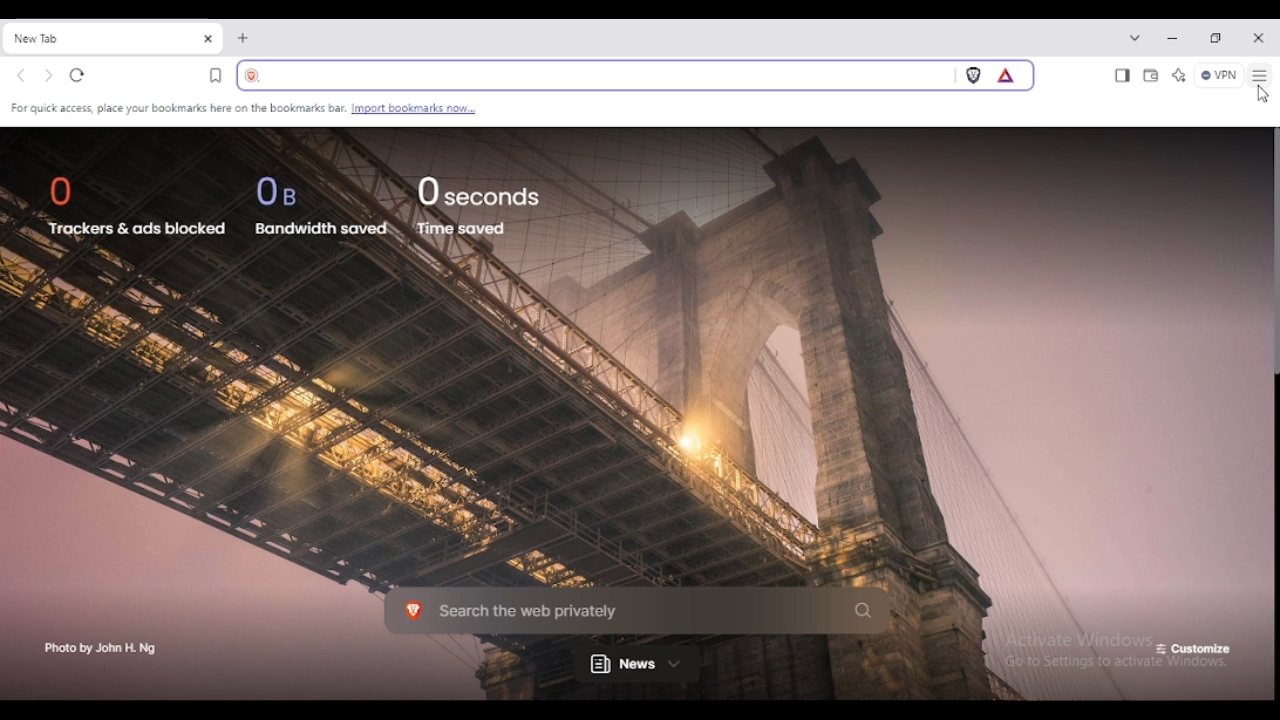 The image size is (1280, 720). I want to click on new tab, so click(94, 39).